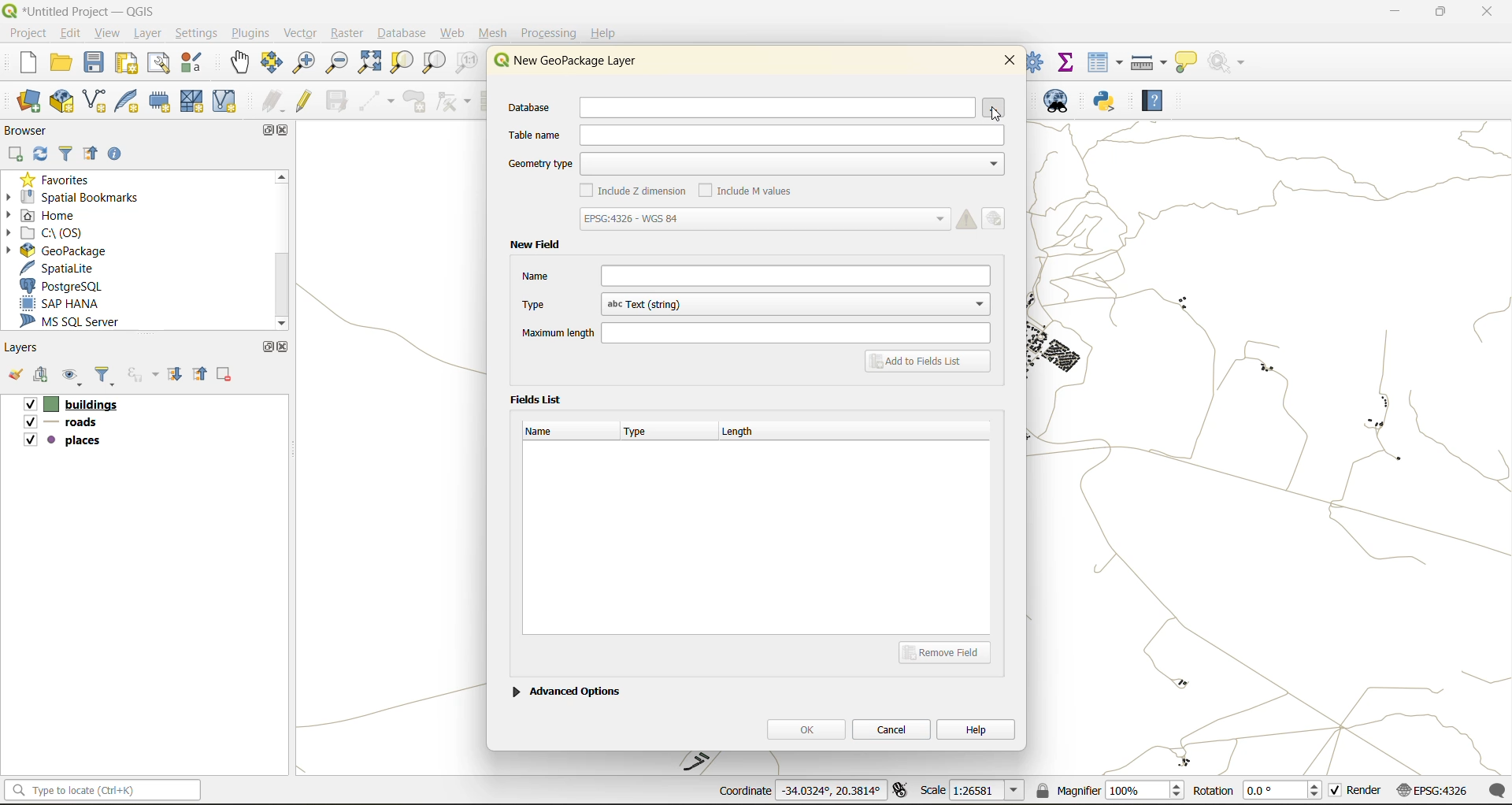 The width and height of the screenshot is (1512, 805). Describe the element at coordinates (535, 245) in the screenshot. I see `new field` at that location.